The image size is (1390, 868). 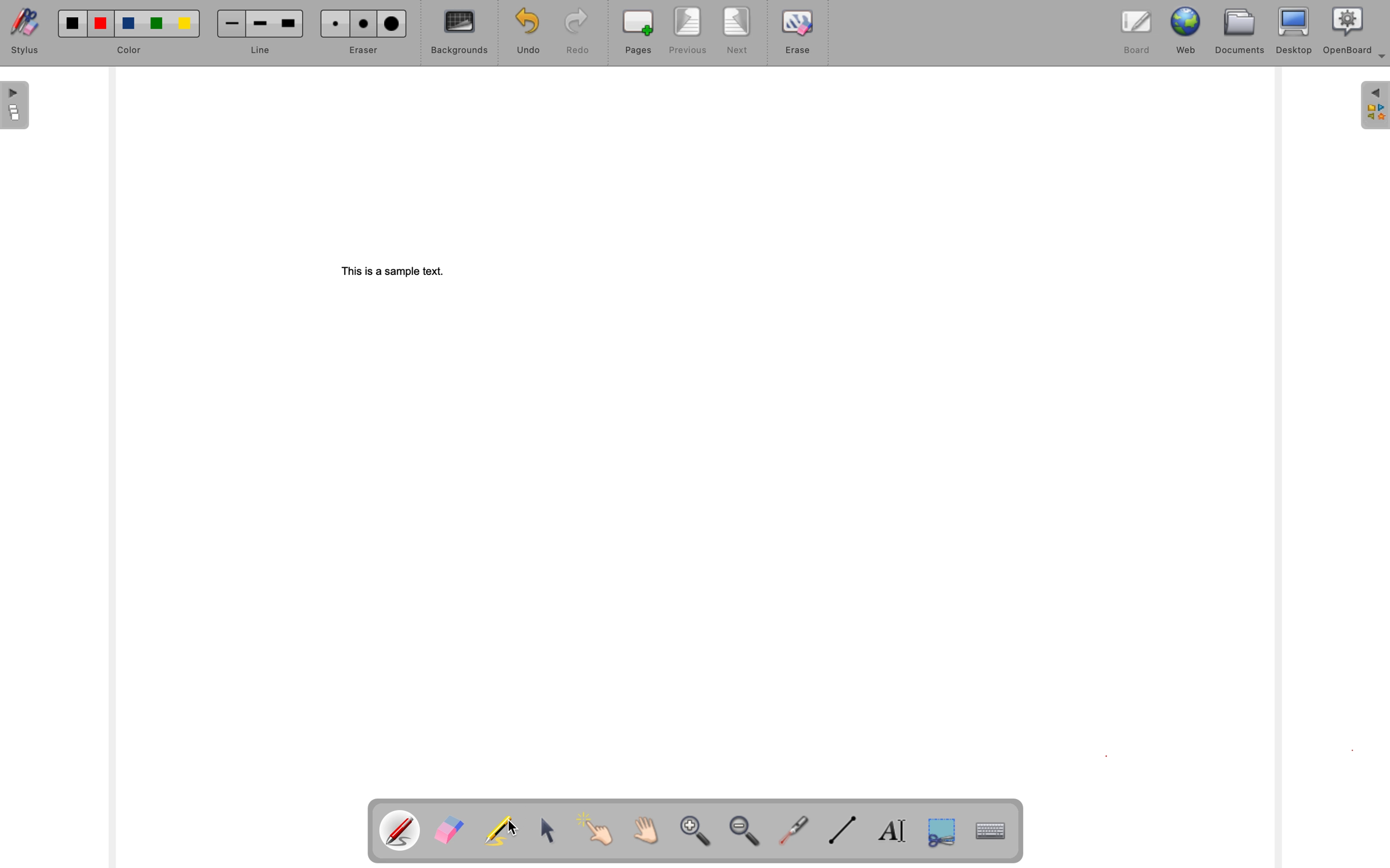 I want to click on draw lines, so click(x=843, y=830).